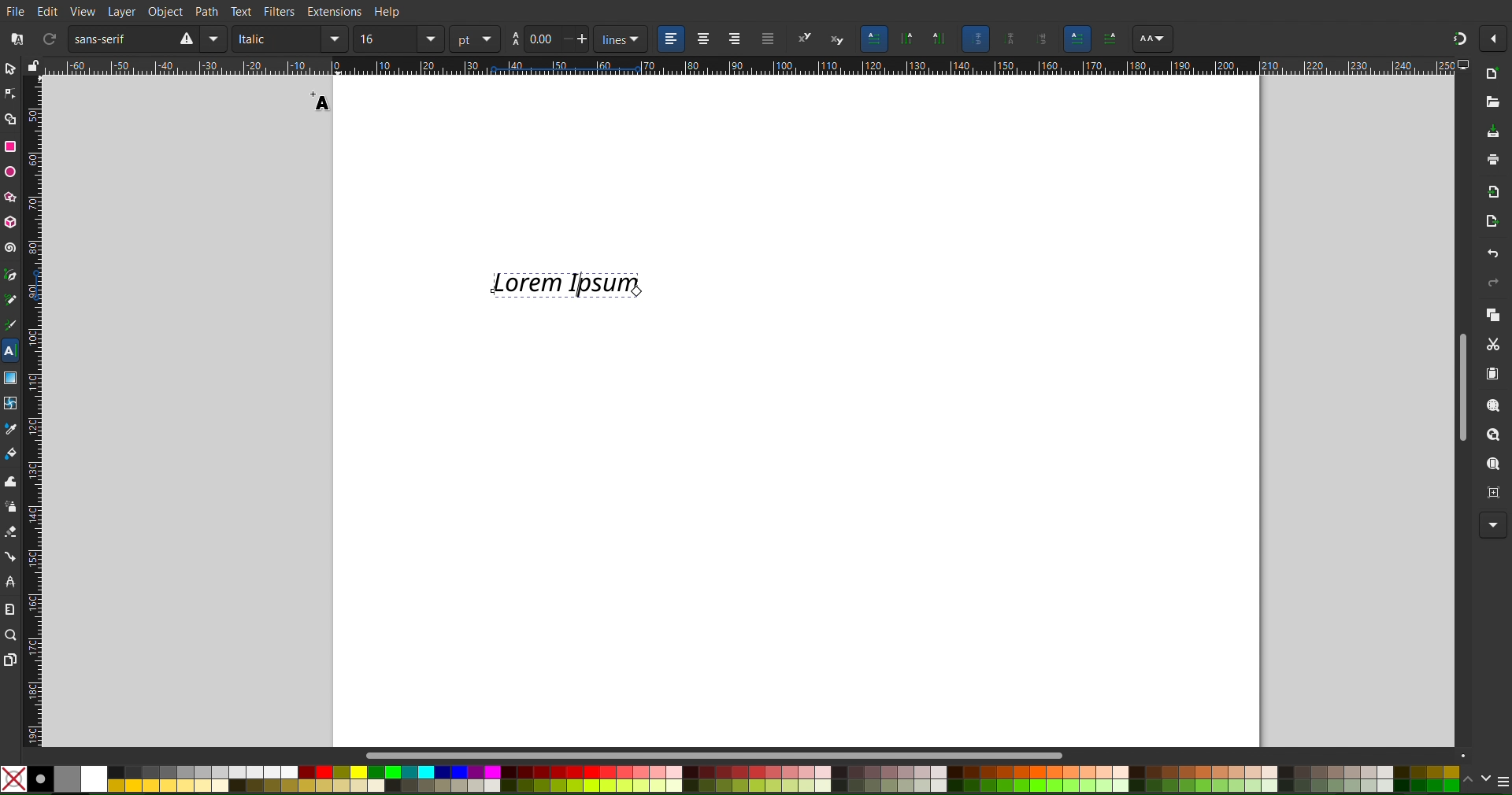 Image resolution: width=1512 pixels, height=795 pixels. Describe the element at coordinates (624, 40) in the screenshot. I see `unit` at that location.